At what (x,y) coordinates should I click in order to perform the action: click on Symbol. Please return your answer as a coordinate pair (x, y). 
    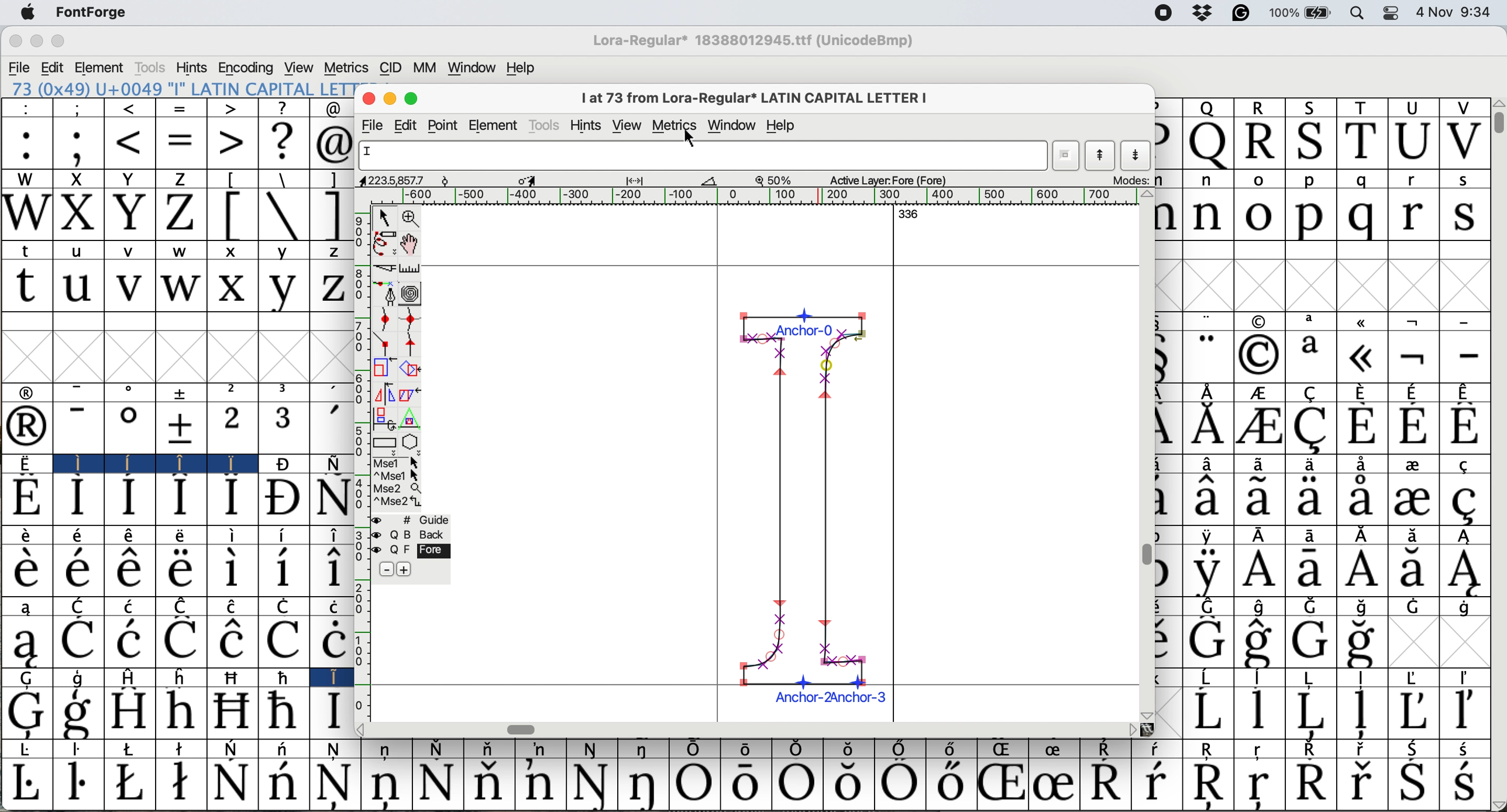
    Looking at the image, I should click on (954, 749).